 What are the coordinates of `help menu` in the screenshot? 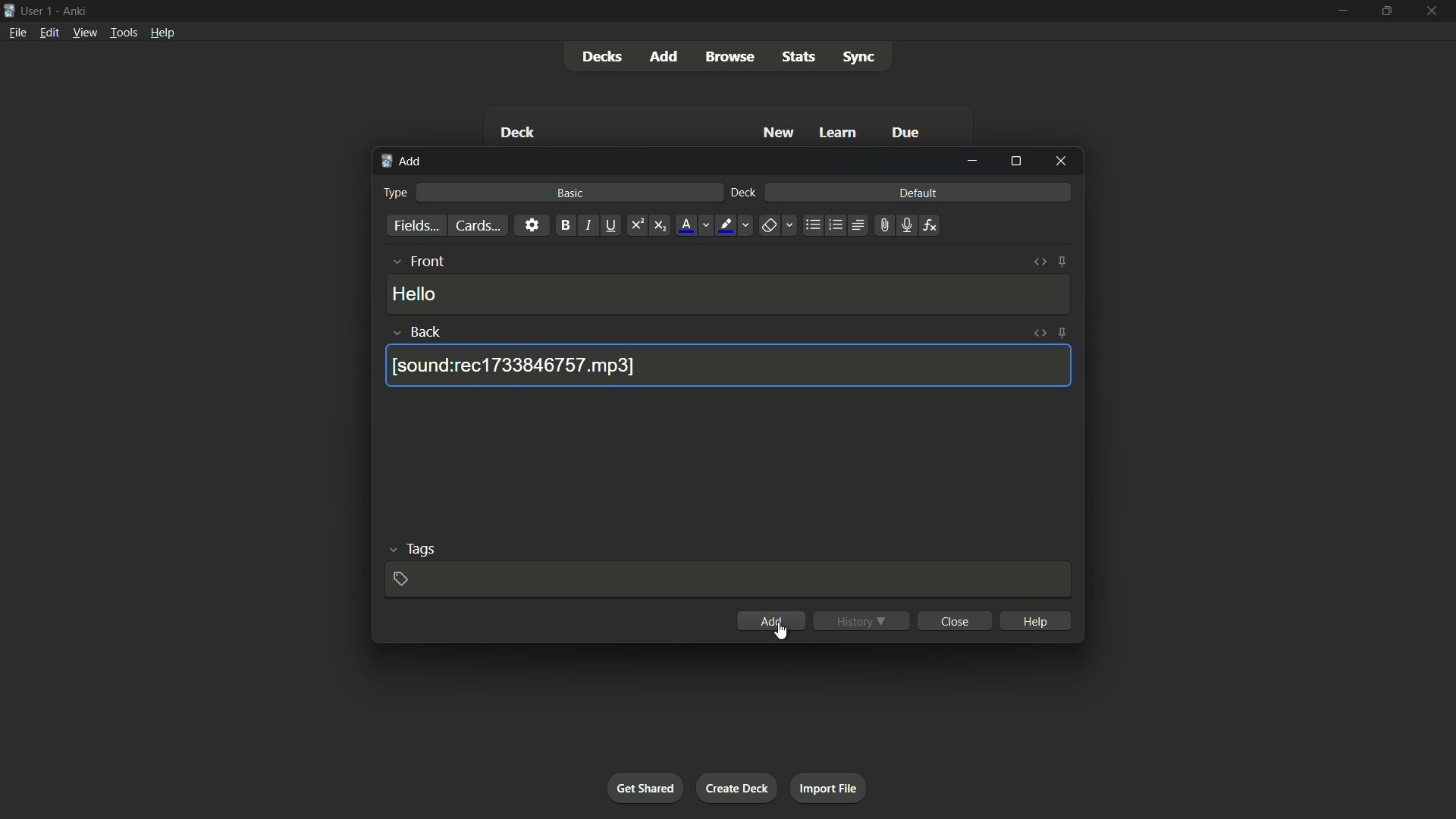 It's located at (163, 33).